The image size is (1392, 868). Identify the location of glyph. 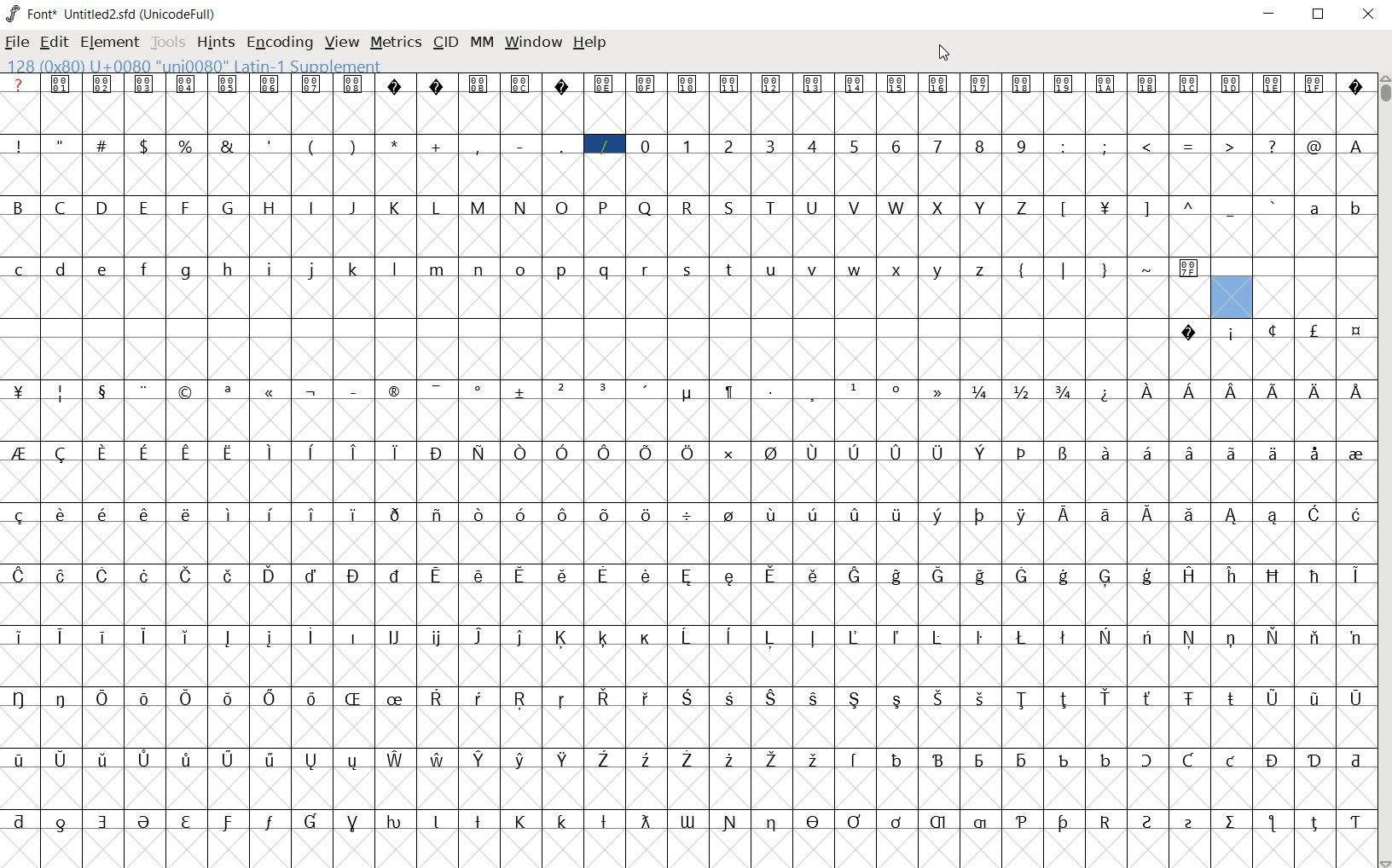
(228, 454).